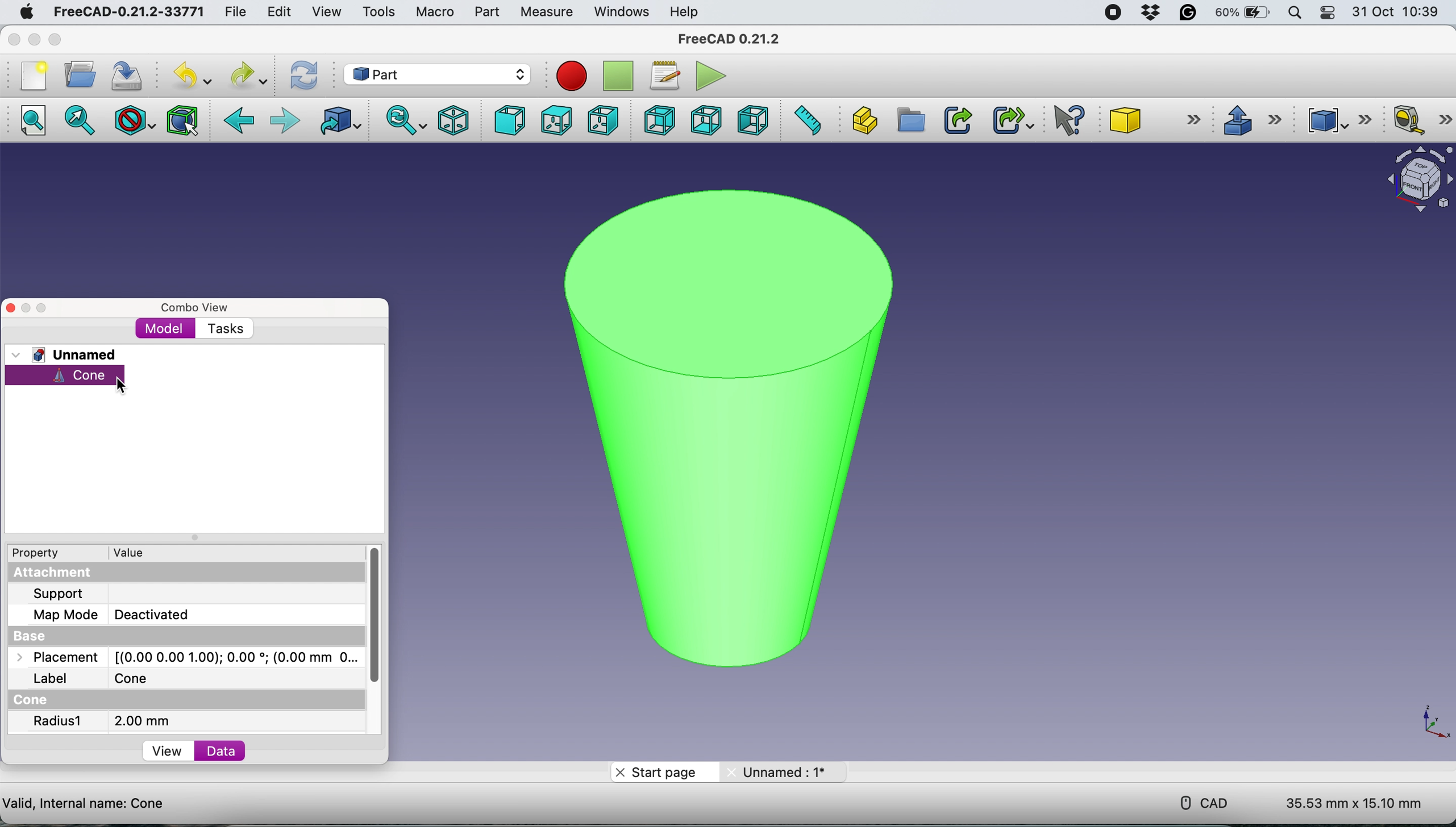 Image resolution: width=1456 pixels, height=827 pixels. I want to click on whats this, so click(1063, 121).